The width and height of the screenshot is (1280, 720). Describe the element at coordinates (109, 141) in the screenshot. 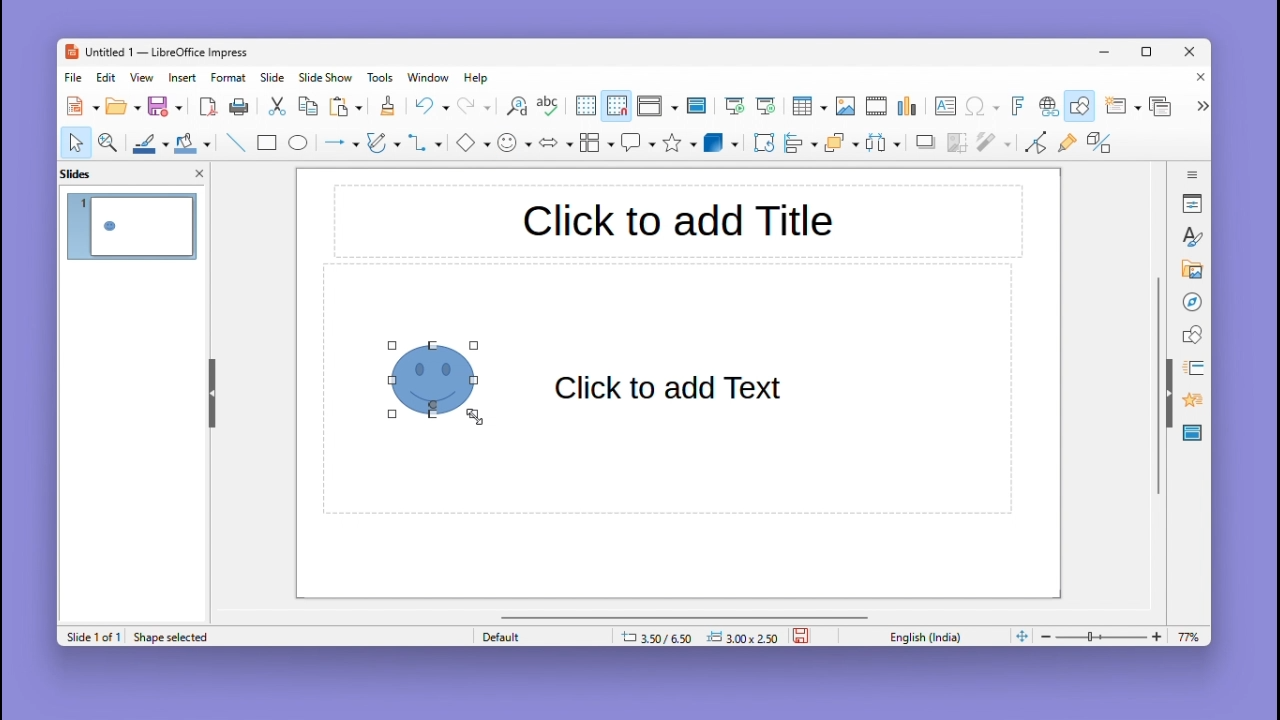

I see `Magnification` at that location.